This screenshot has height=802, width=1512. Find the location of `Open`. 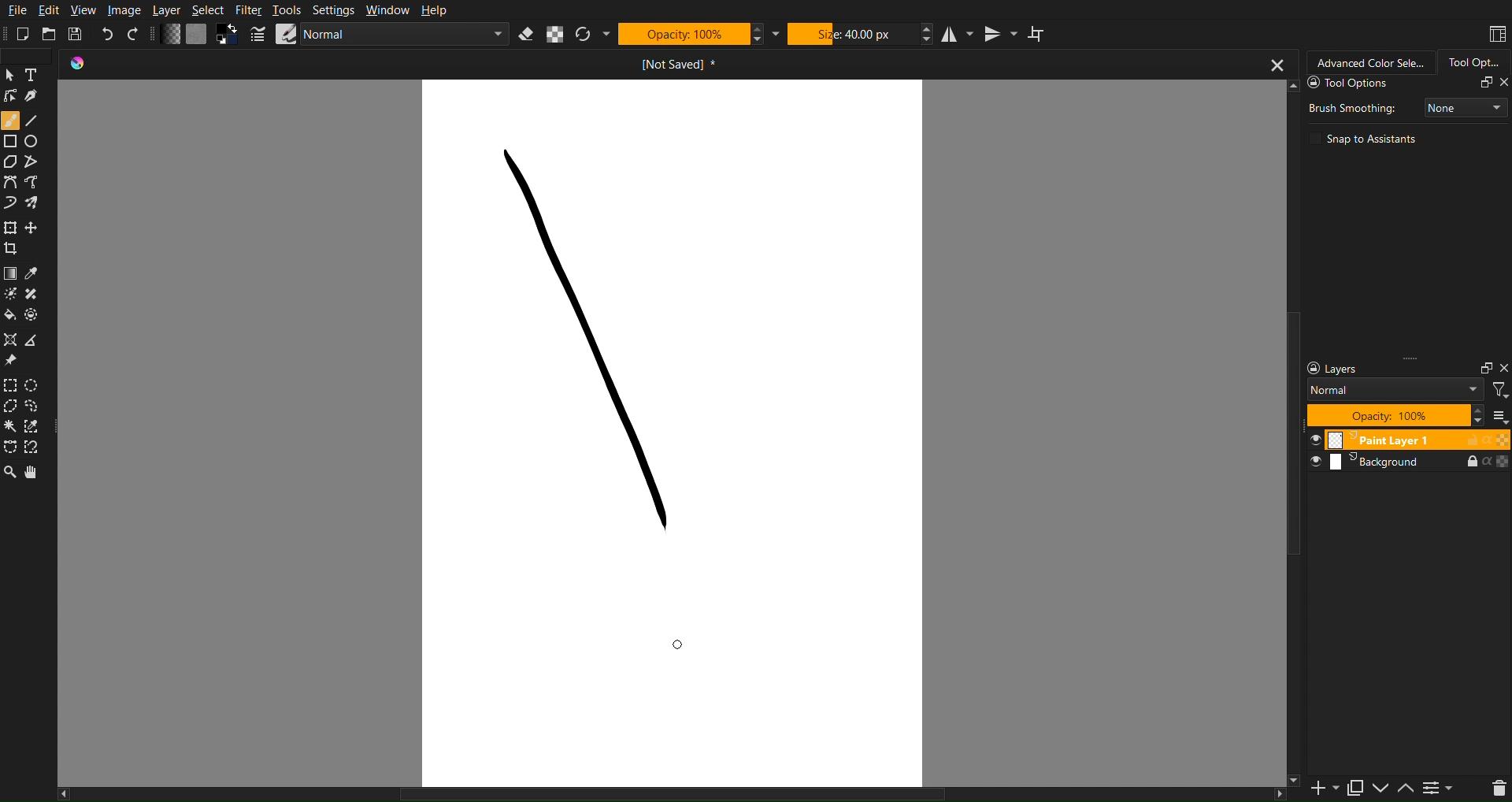

Open is located at coordinates (50, 33).